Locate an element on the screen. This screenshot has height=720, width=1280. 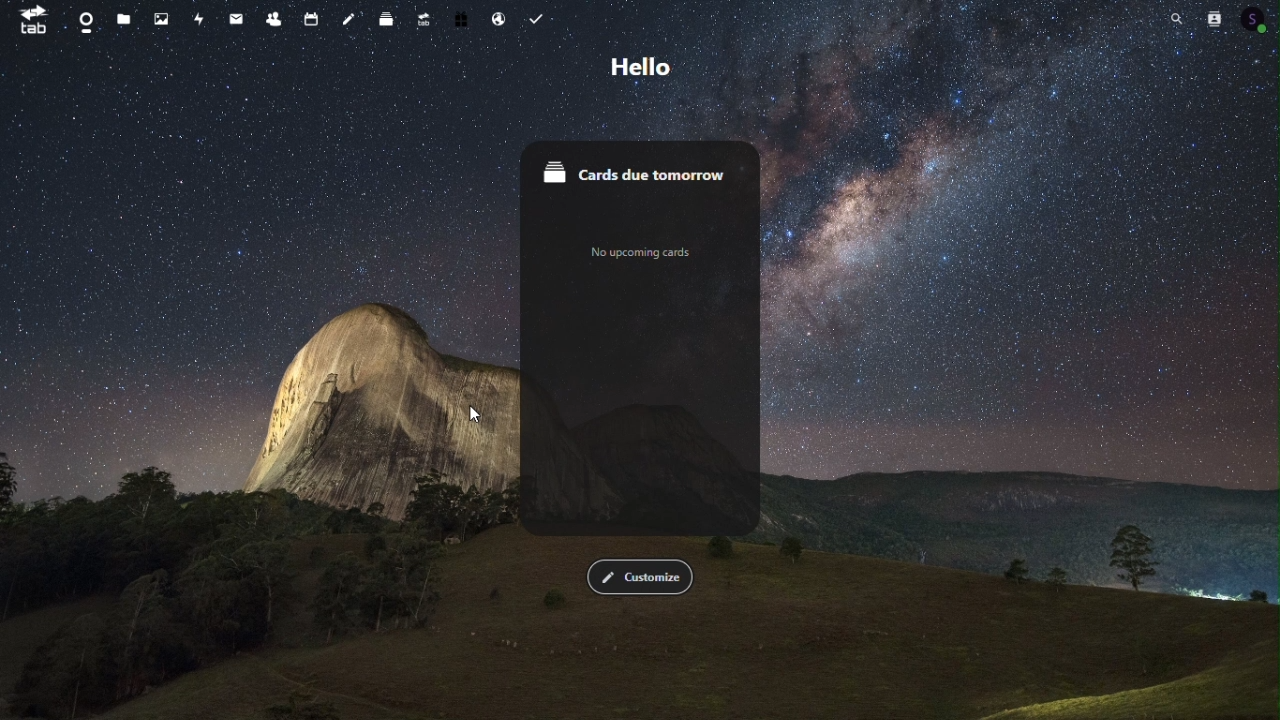
customize is located at coordinates (640, 578).